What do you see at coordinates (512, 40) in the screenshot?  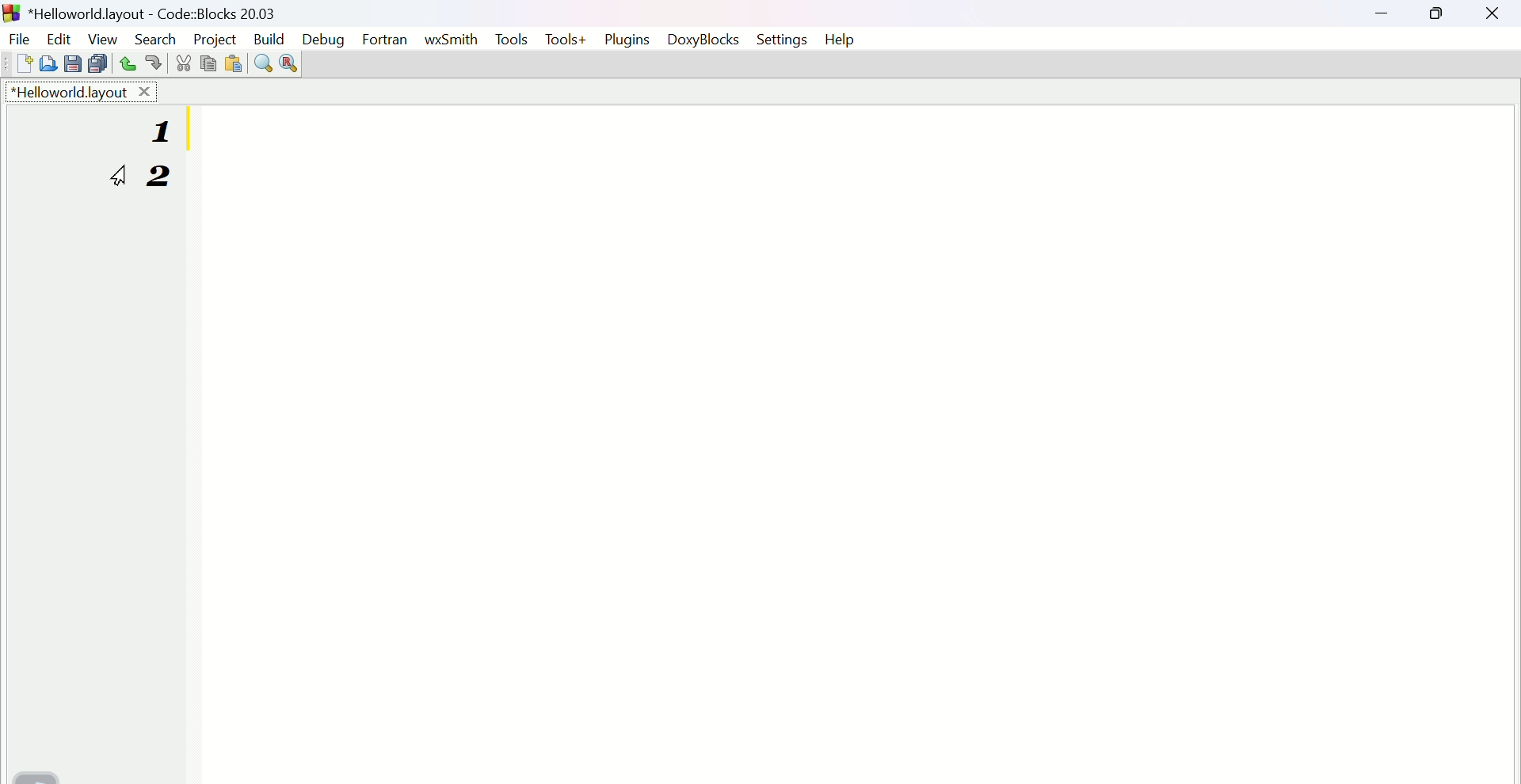 I see `Tools` at bounding box center [512, 40].